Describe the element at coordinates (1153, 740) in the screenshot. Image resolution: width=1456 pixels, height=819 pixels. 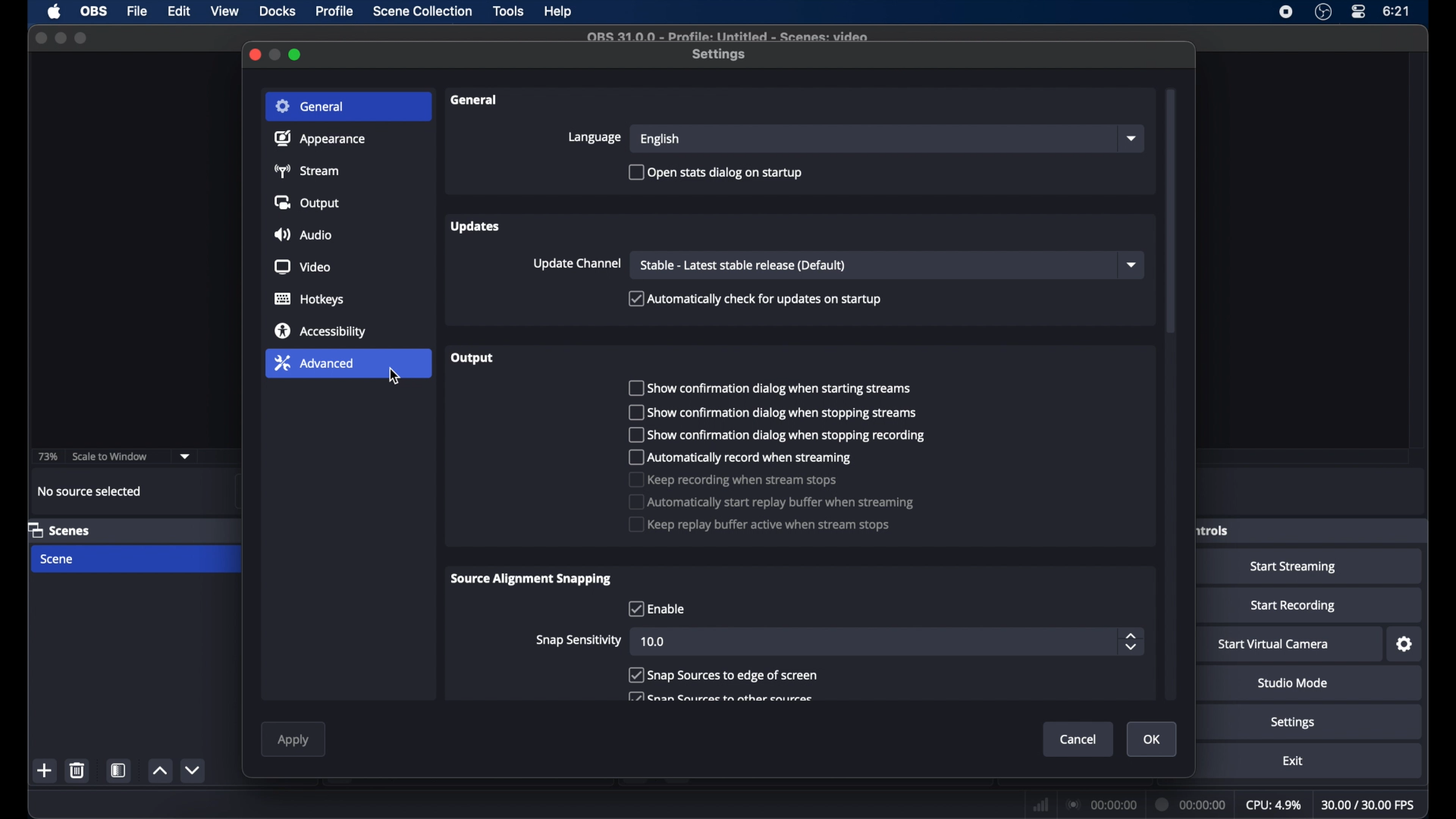
I see `ok` at that location.